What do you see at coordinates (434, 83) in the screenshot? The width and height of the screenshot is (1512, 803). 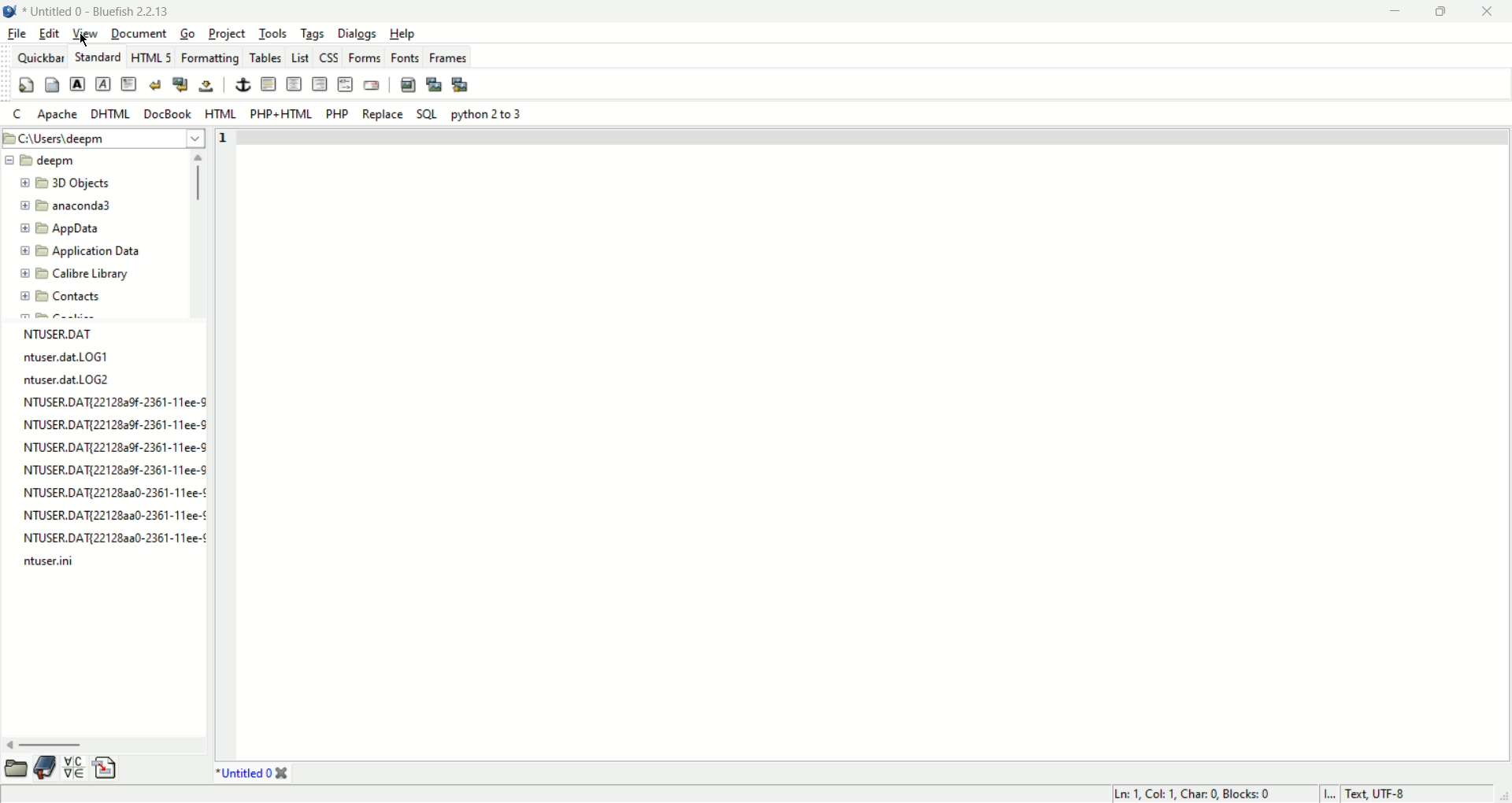 I see `insert thumbnail` at bounding box center [434, 83].